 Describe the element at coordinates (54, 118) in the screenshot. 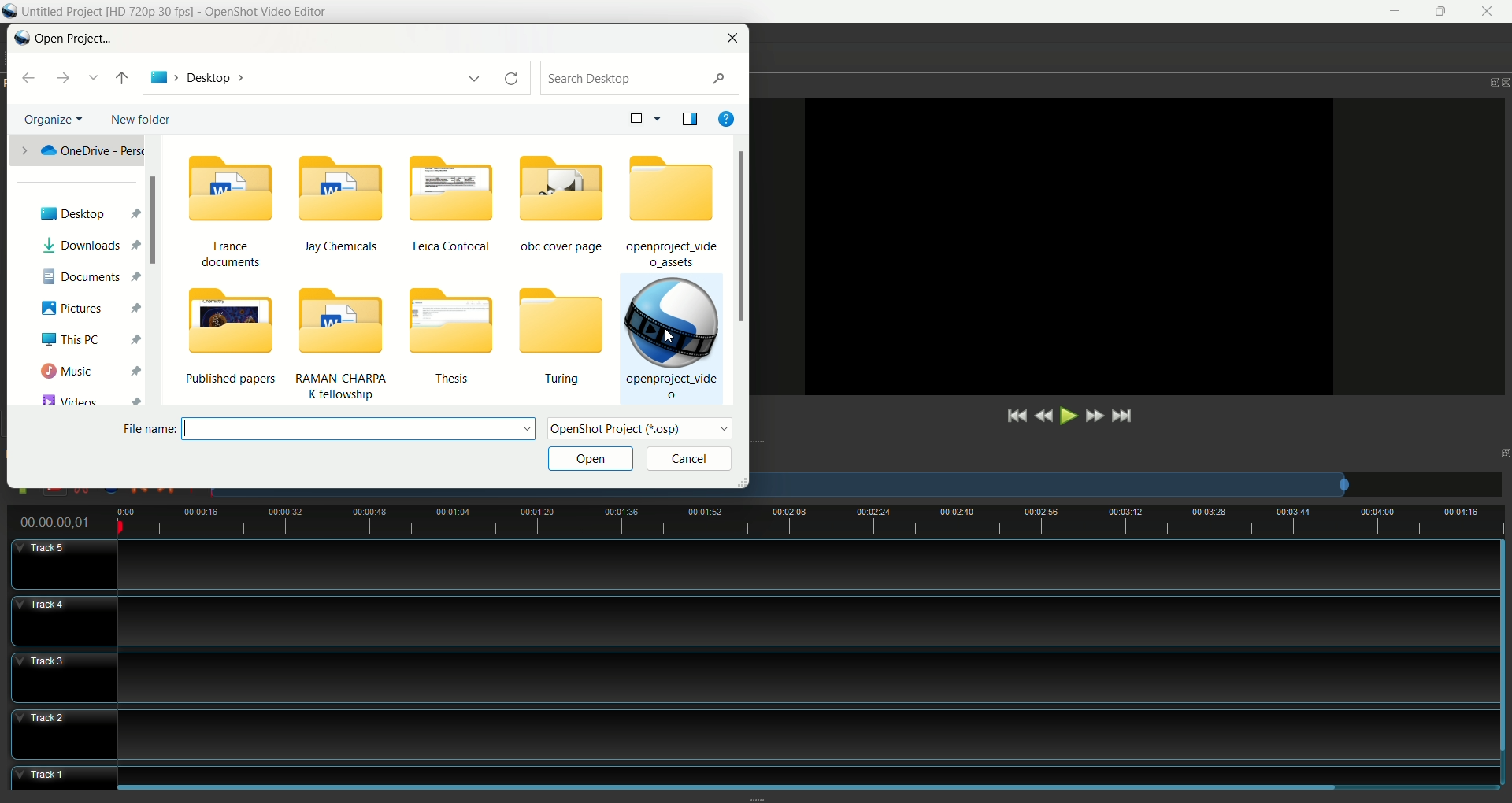

I see `organize` at that location.